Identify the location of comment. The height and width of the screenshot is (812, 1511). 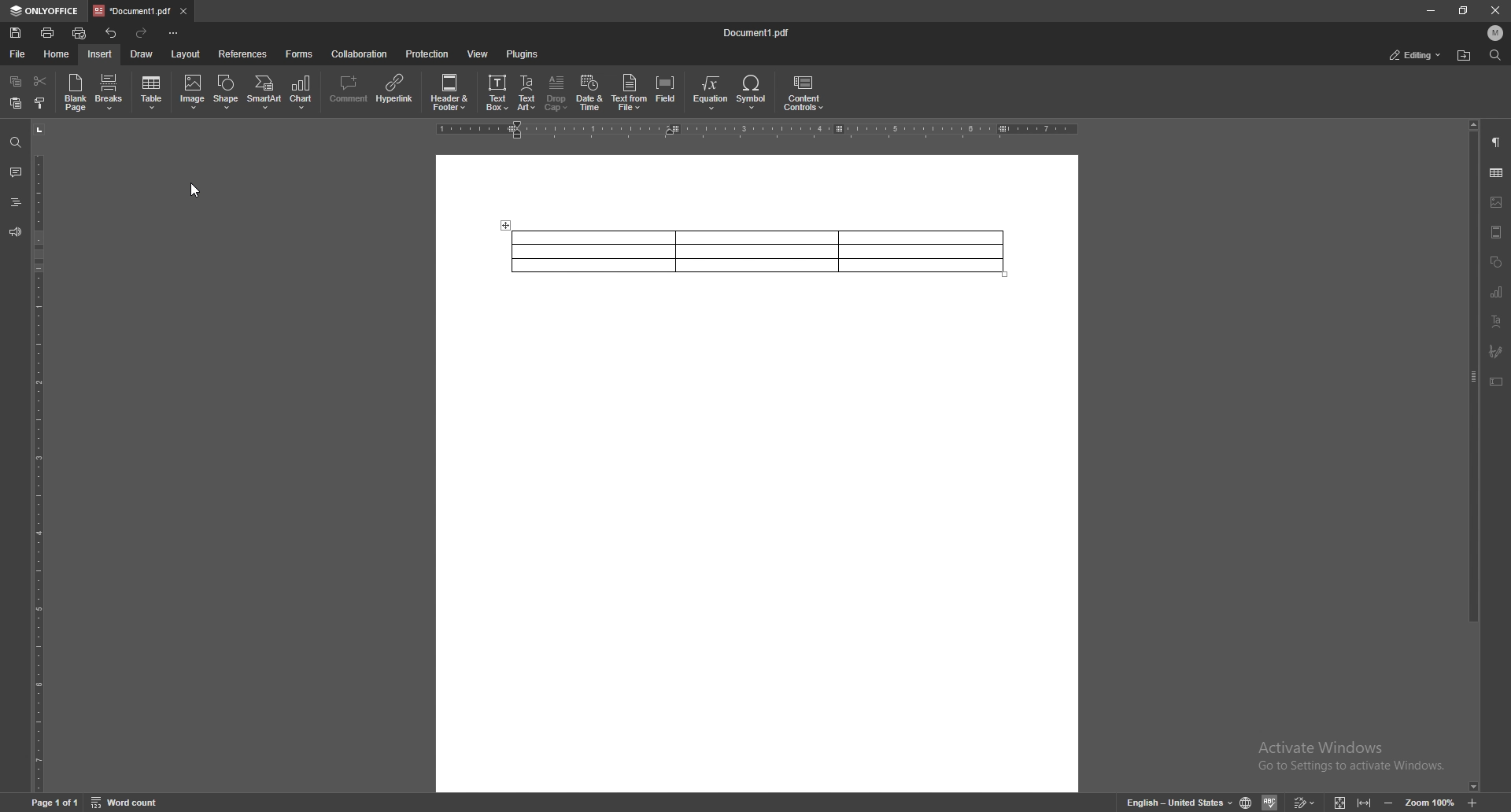
(348, 92).